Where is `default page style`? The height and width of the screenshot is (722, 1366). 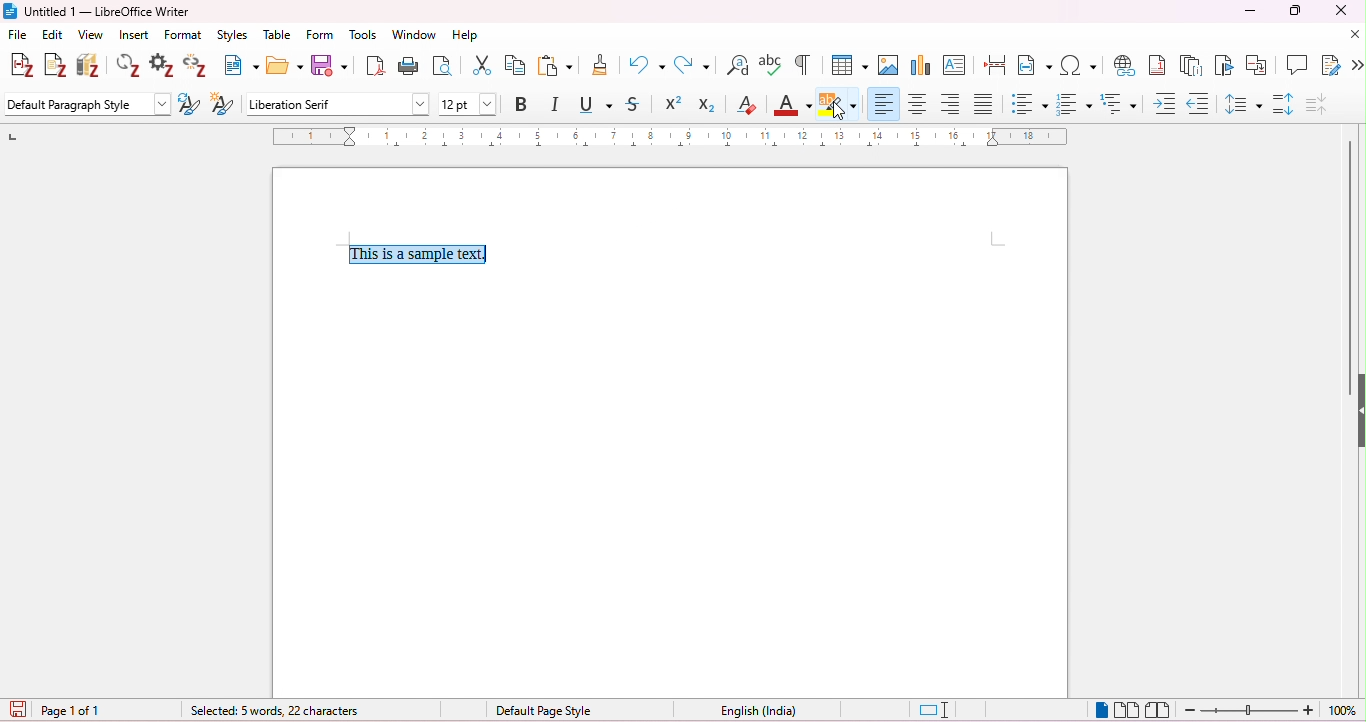
default page style is located at coordinates (543, 711).